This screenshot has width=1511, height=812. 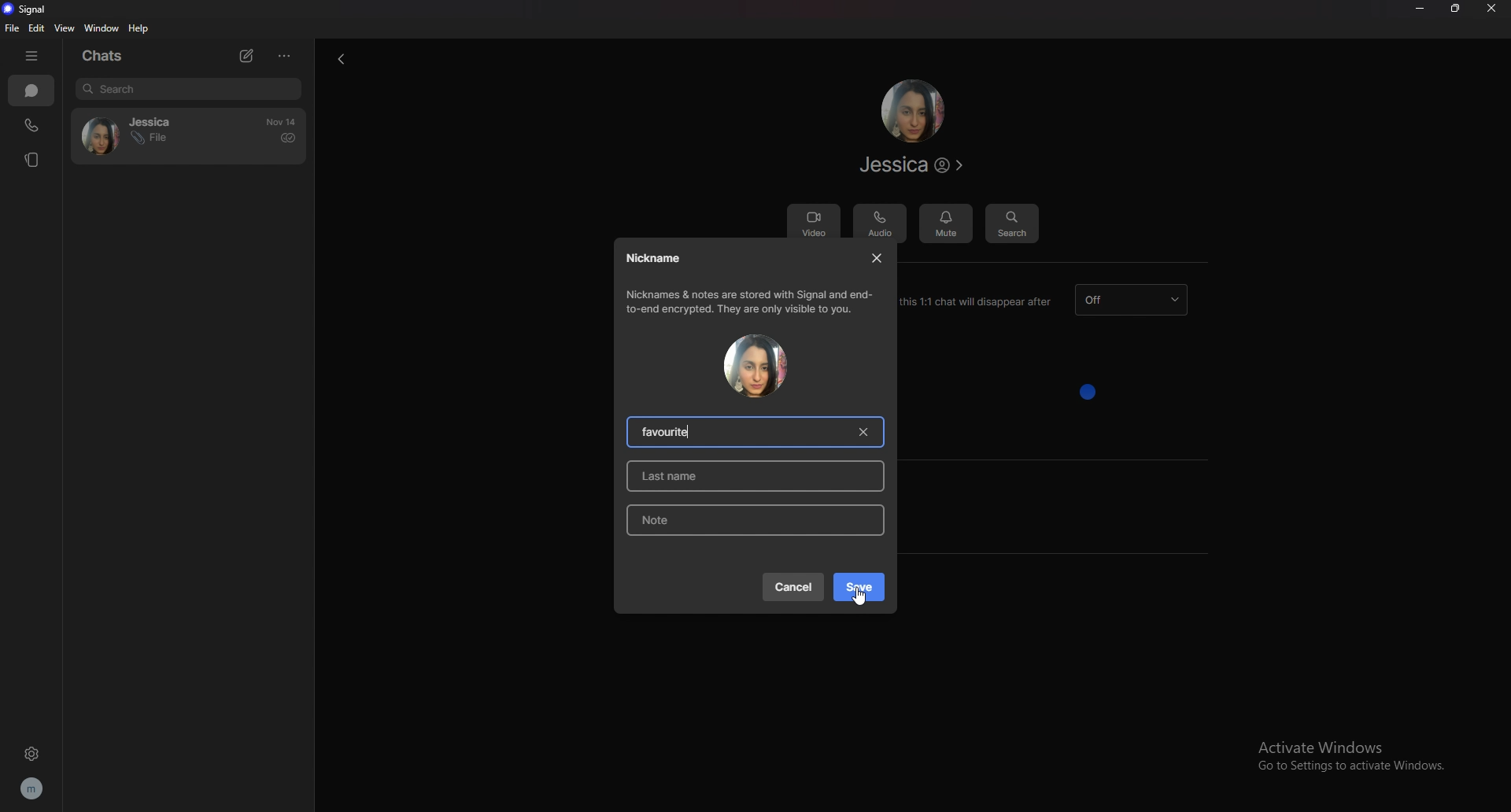 What do you see at coordinates (26, 9) in the screenshot?
I see `signal` at bounding box center [26, 9].